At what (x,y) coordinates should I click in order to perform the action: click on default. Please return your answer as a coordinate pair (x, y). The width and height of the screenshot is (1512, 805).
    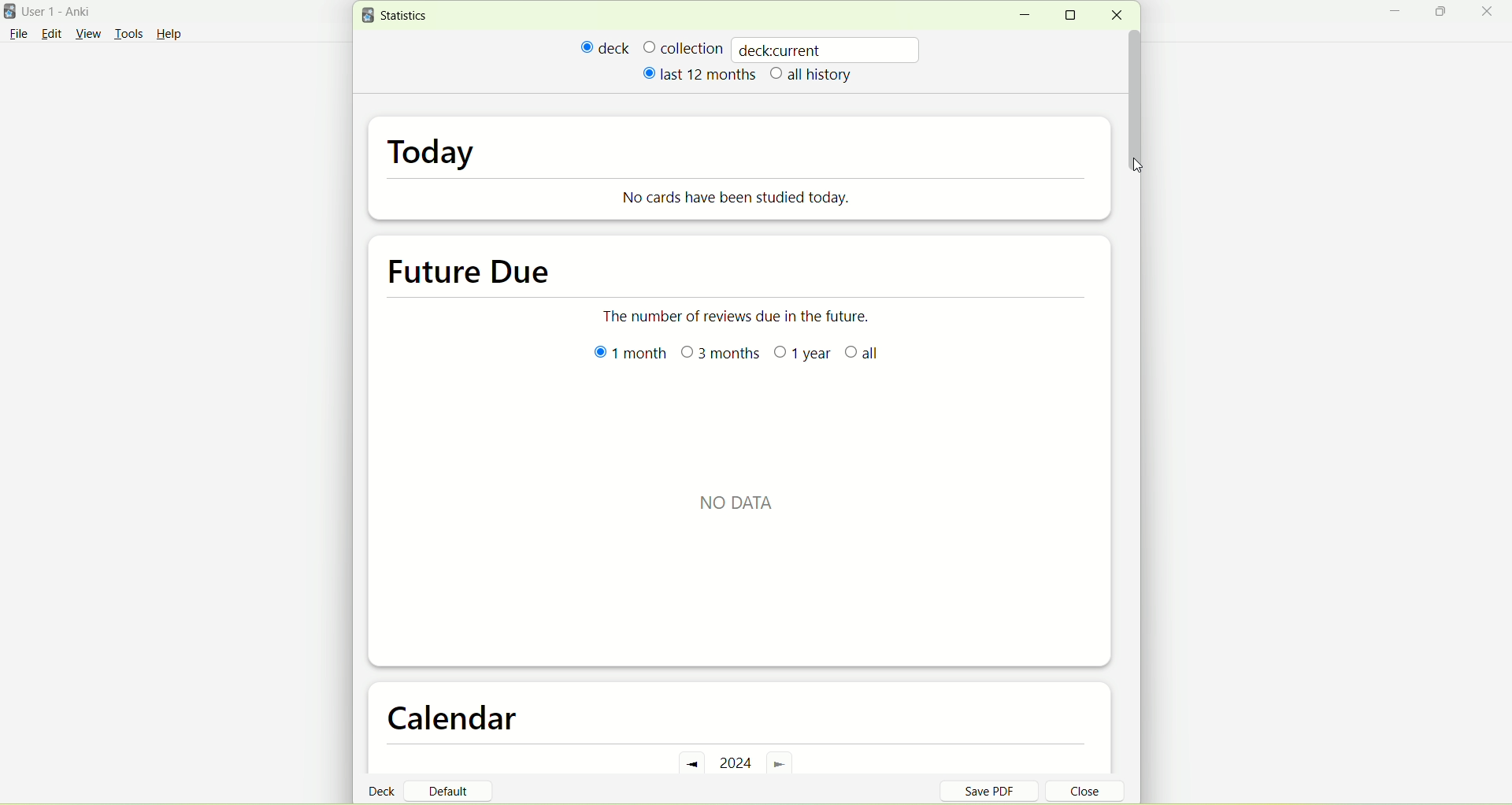
    Looking at the image, I should click on (454, 785).